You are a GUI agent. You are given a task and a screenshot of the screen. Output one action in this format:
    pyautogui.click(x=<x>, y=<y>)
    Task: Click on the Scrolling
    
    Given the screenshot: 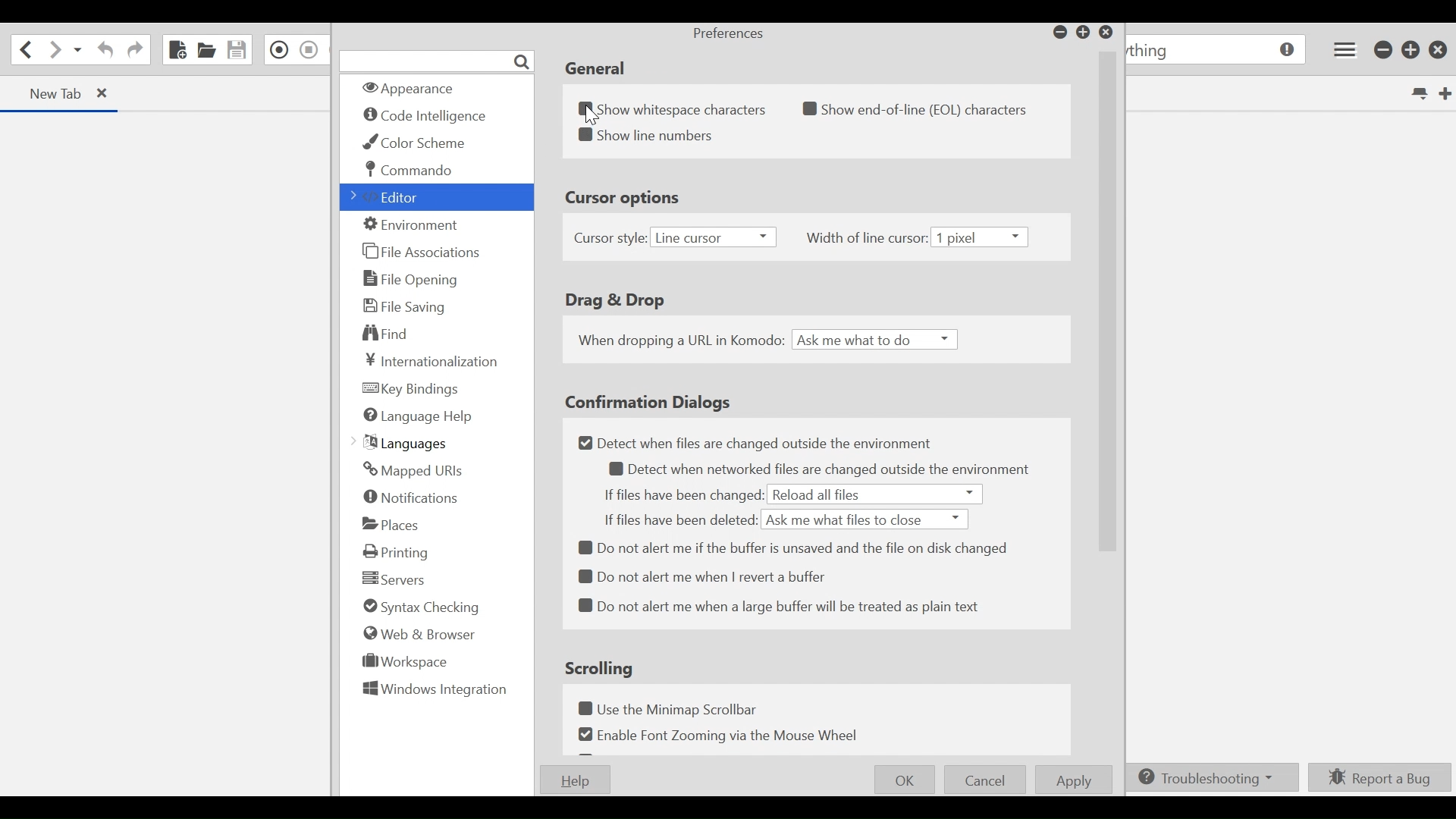 What is the action you would take?
    pyautogui.click(x=597, y=668)
    